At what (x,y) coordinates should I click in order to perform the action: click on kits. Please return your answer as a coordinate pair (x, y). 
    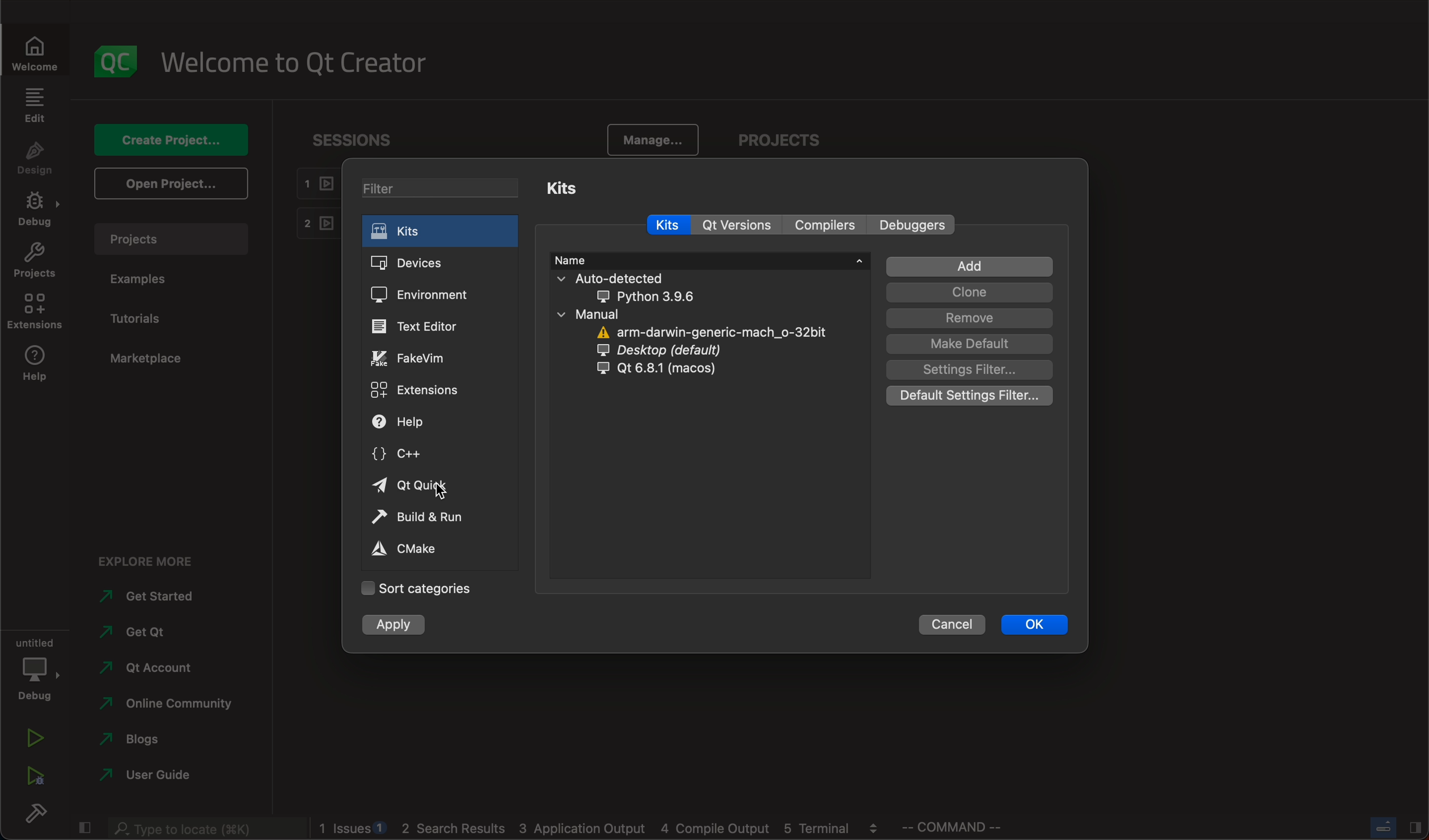
    Looking at the image, I should click on (665, 223).